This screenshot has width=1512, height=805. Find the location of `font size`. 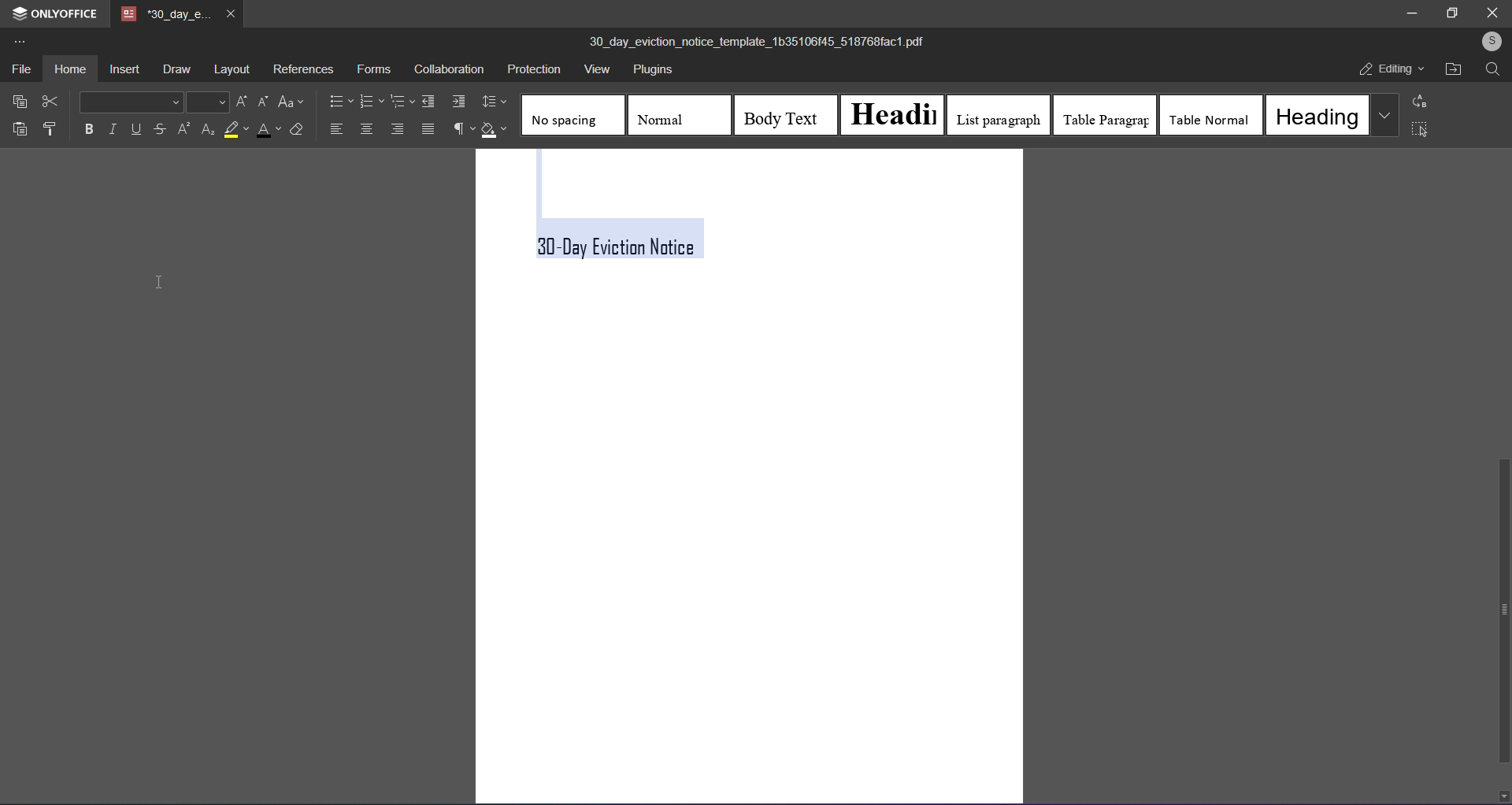

font size is located at coordinates (206, 102).